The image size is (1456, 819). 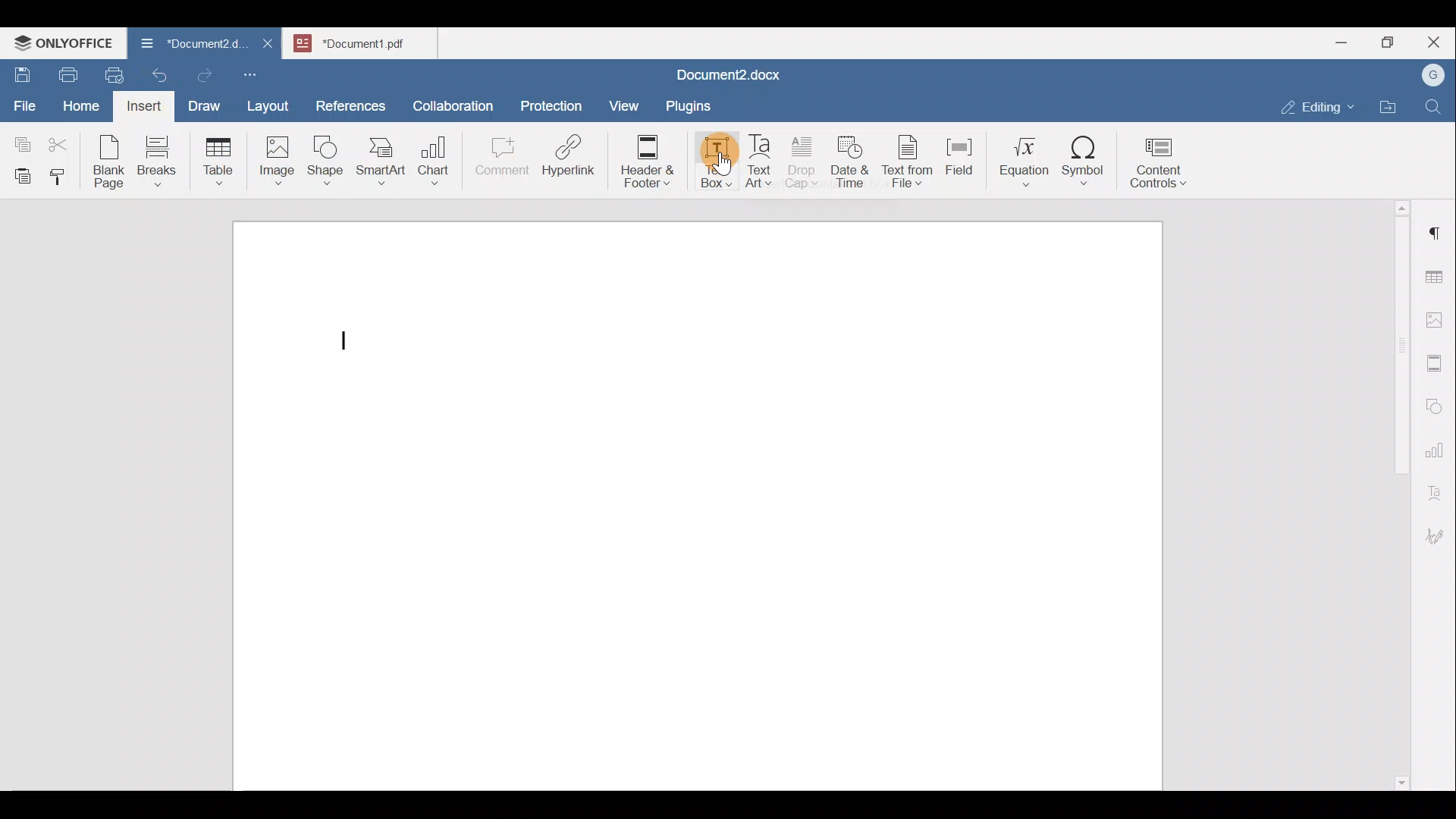 I want to click on “Document1. pdf, so click(x=360, y=42).